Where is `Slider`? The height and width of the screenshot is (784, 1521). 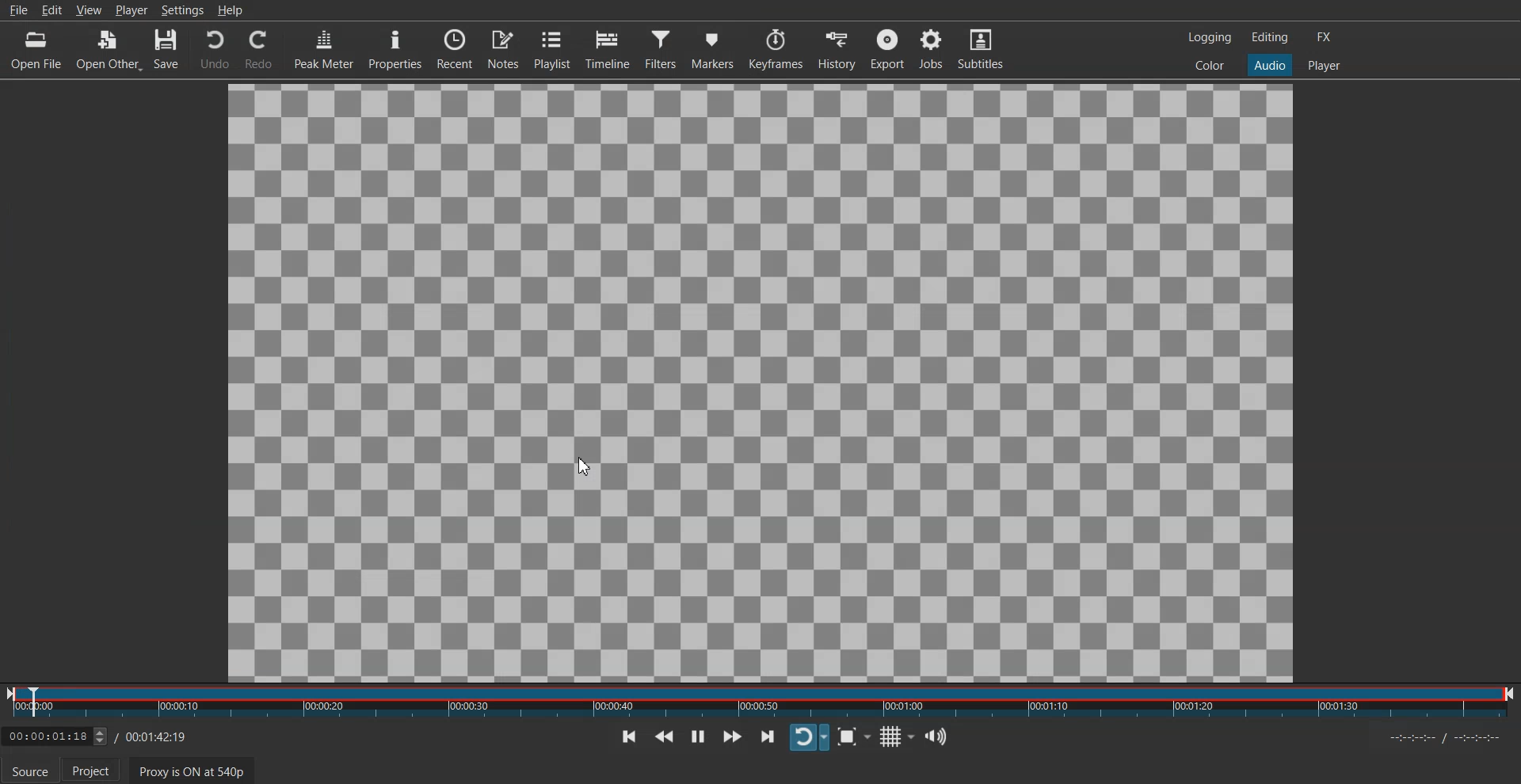
Slider is located at coordinates (760, 703).